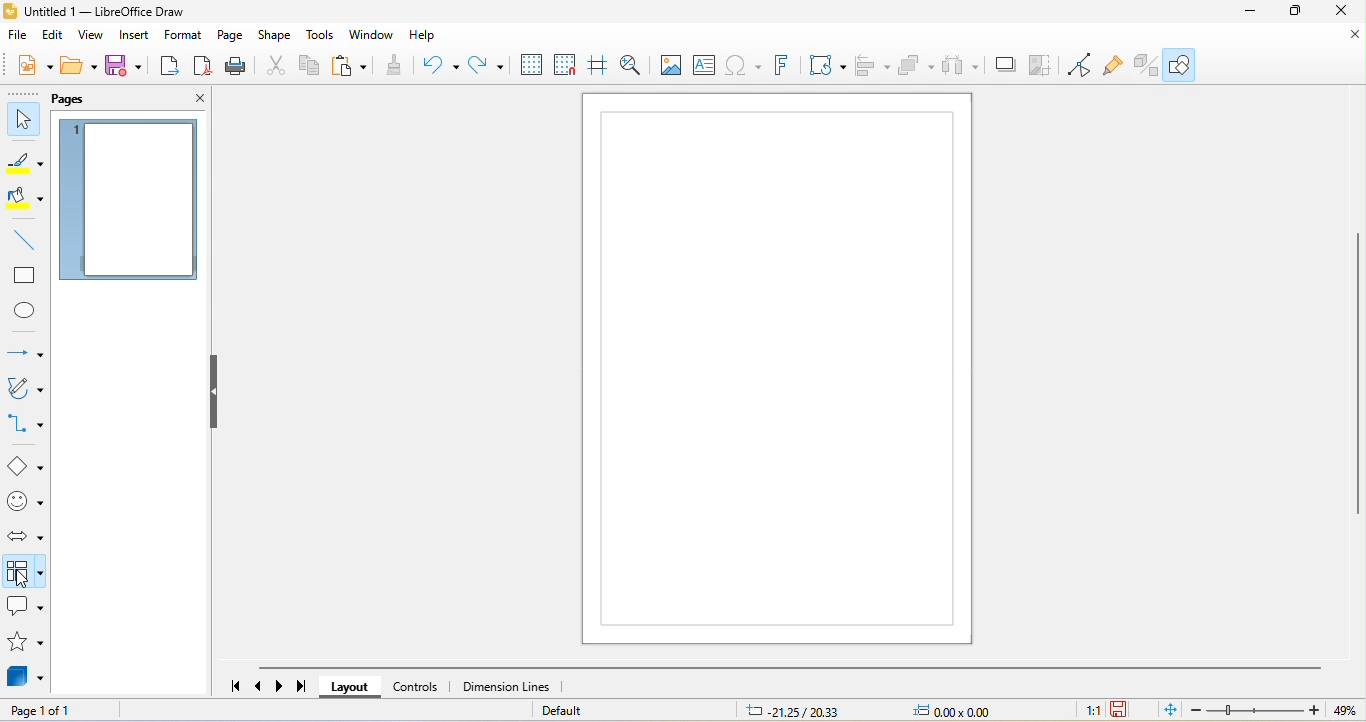  I want to click on save, so click(126, 67).